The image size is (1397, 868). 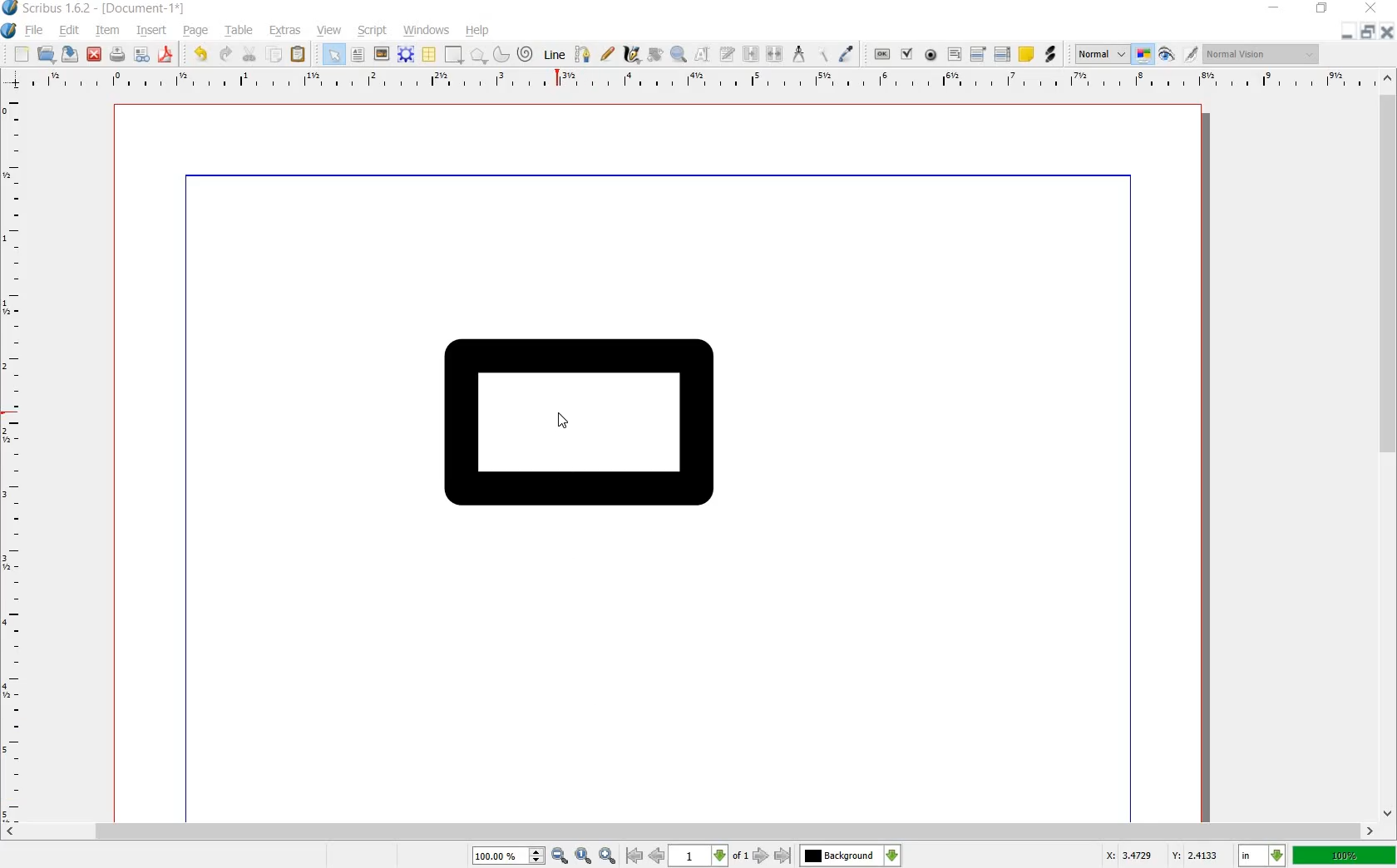 What do you see at coordinates (580, 55) in the screenshot?
I see `bezier curve` at bounding box center [580, 55].